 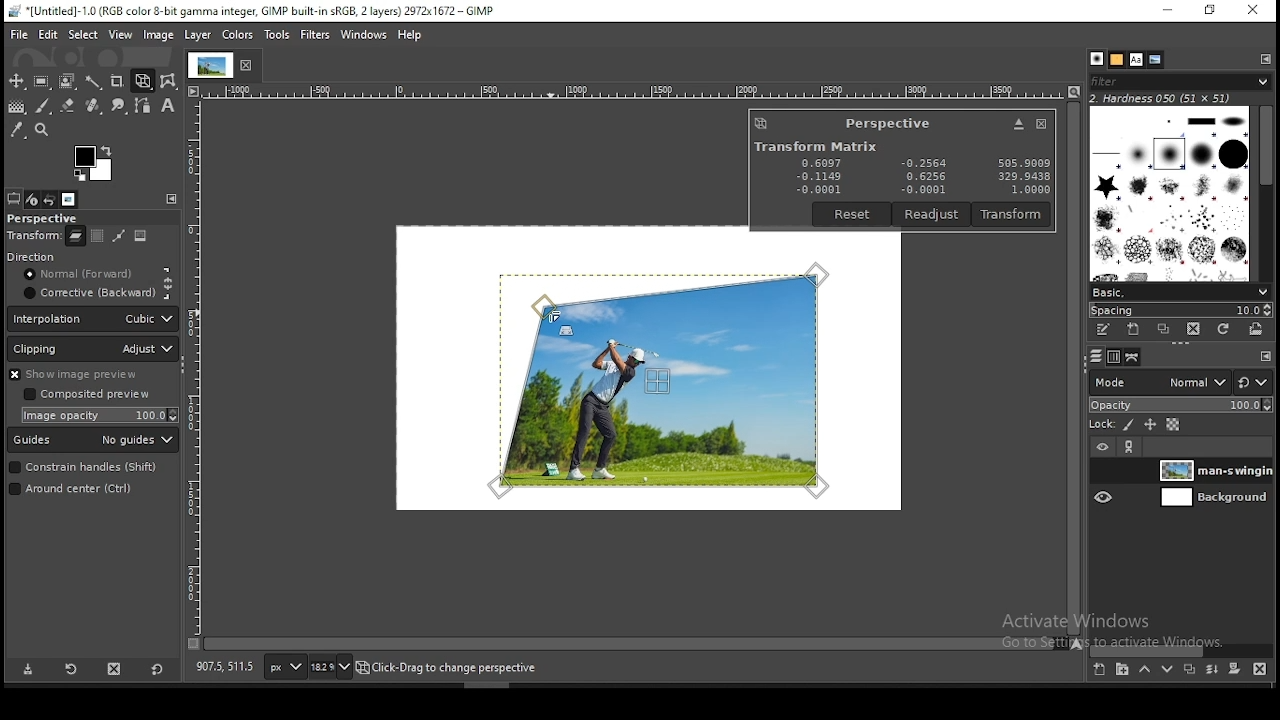 What do you see at coordinates (82, 35) in the screenshot?
I see `select` at bounding box center [82, 35].